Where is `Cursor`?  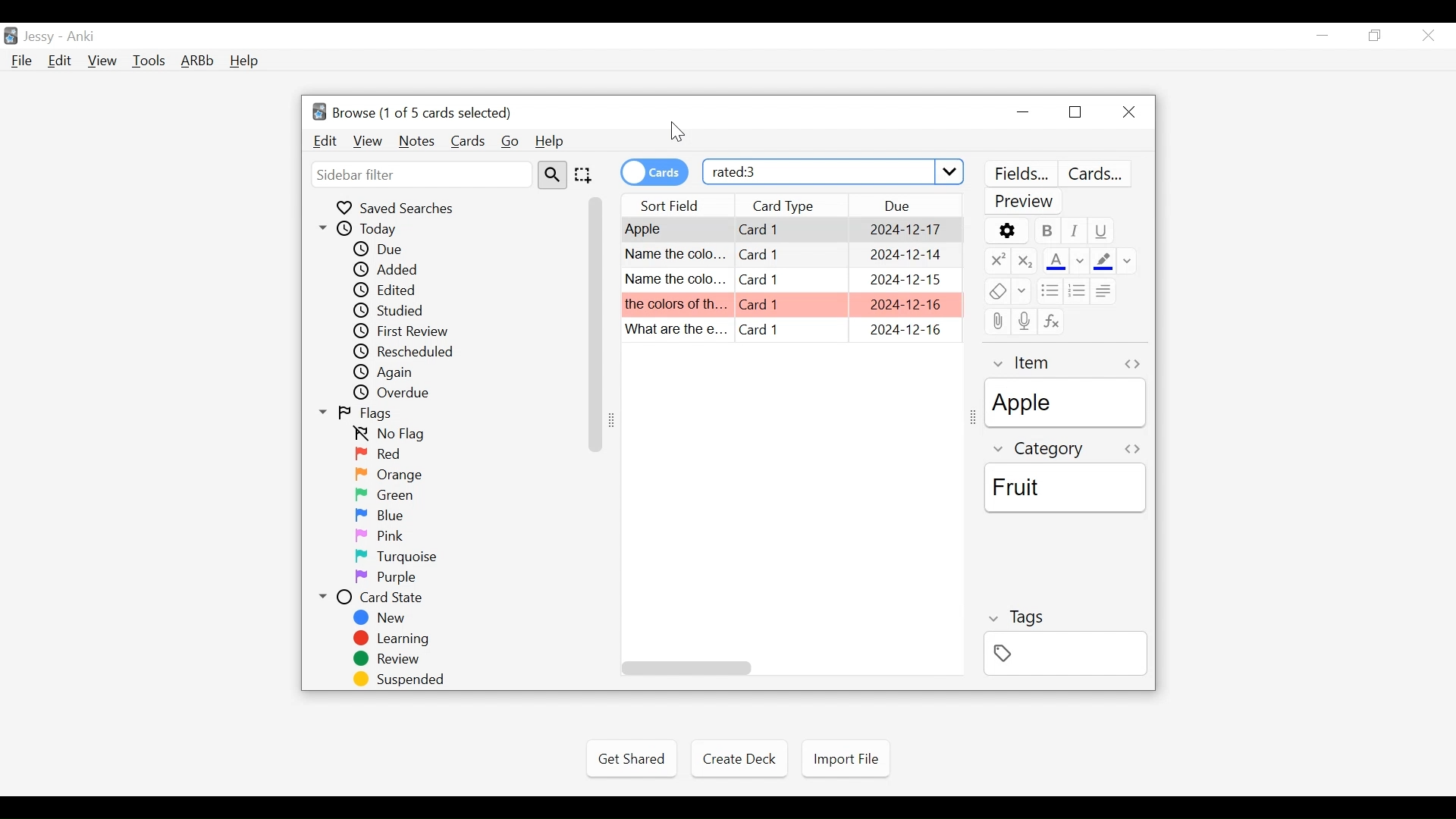 Cursor is located at coordinates (677, 134).